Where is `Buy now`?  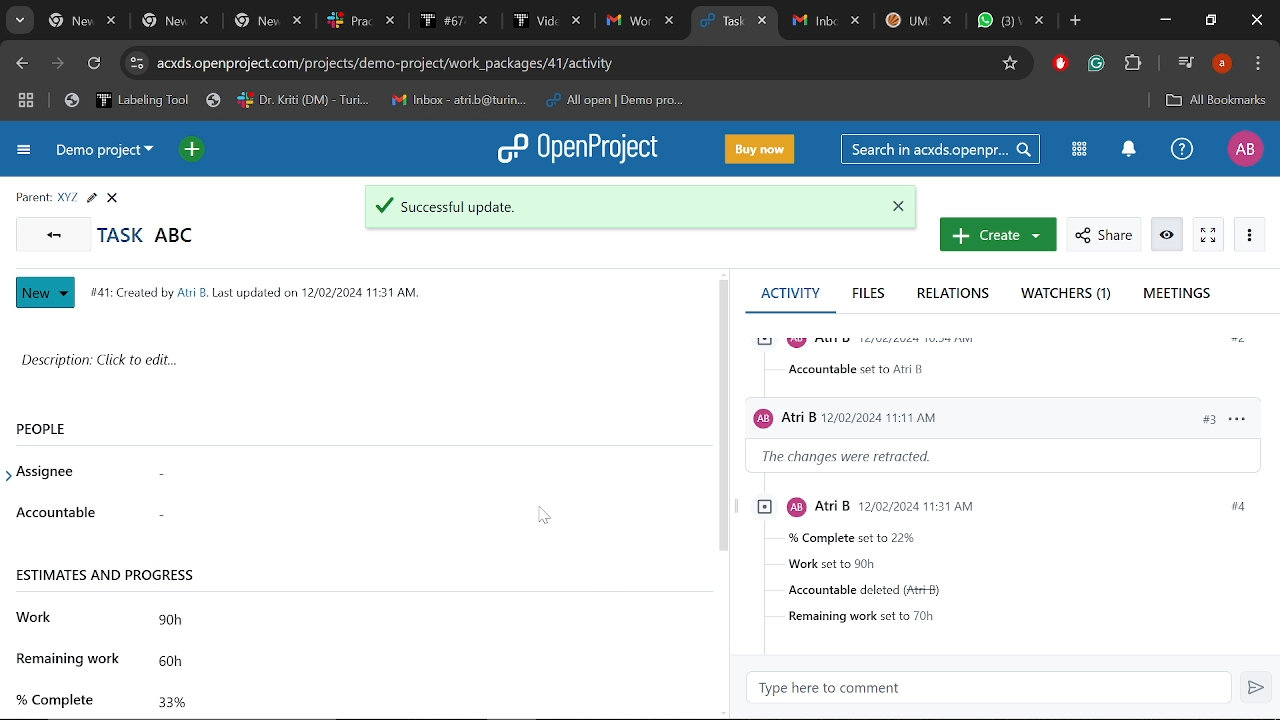 Buy now is located at coordinates (763, 148).